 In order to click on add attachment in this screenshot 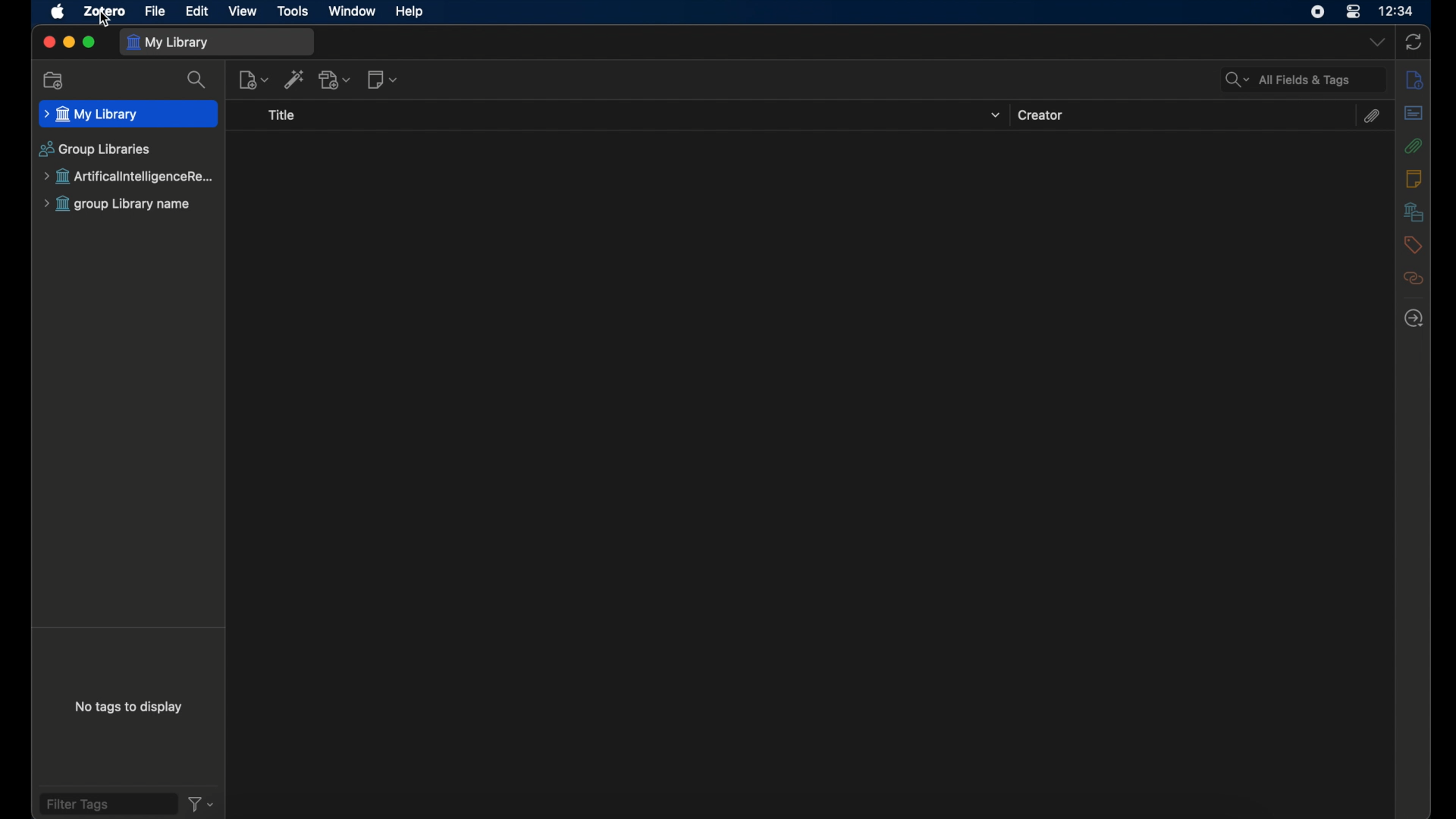, I will do `click(336, 80)`.